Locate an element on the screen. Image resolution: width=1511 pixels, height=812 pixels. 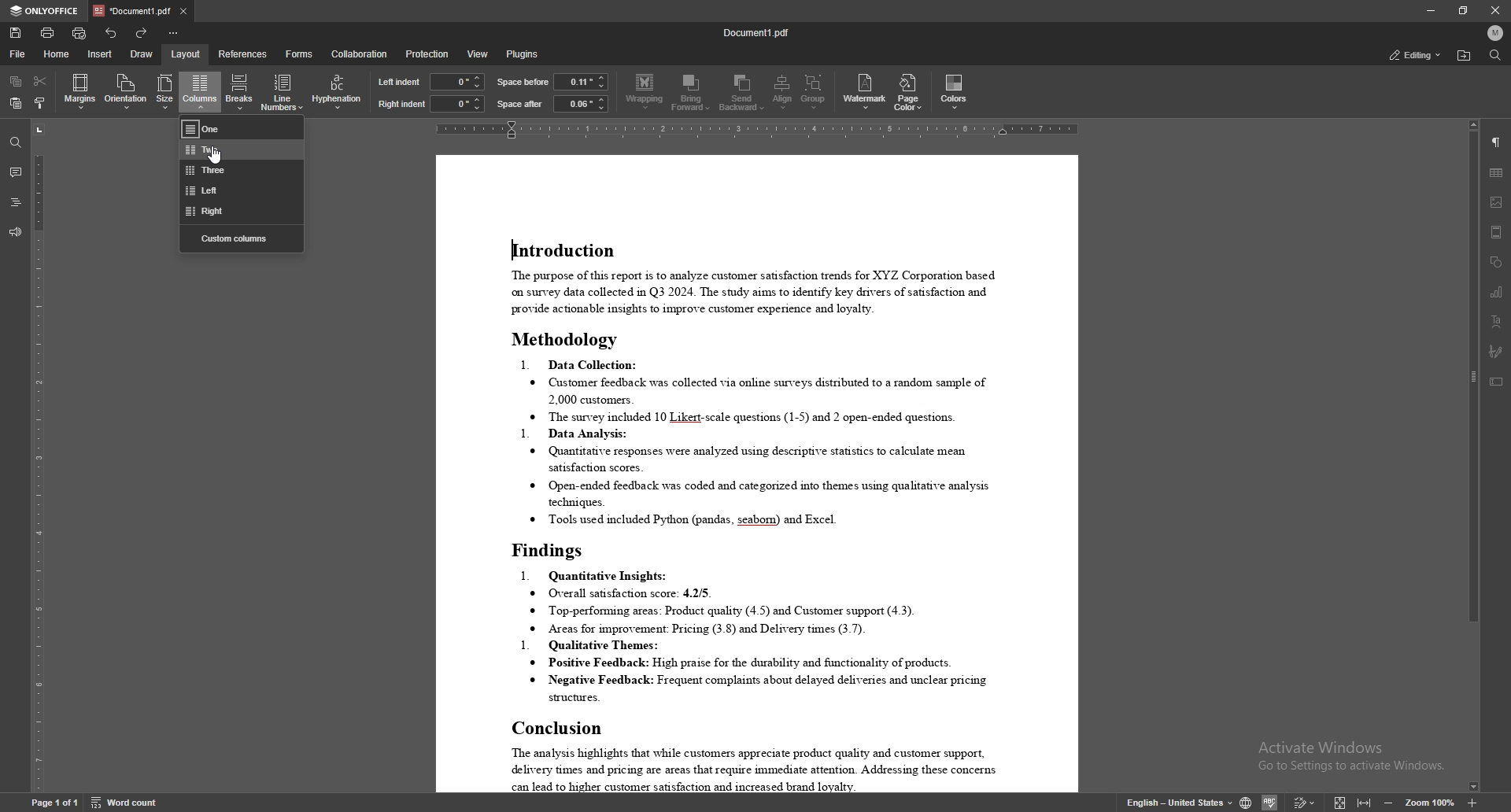
heading is located at coordinates (16, 203).